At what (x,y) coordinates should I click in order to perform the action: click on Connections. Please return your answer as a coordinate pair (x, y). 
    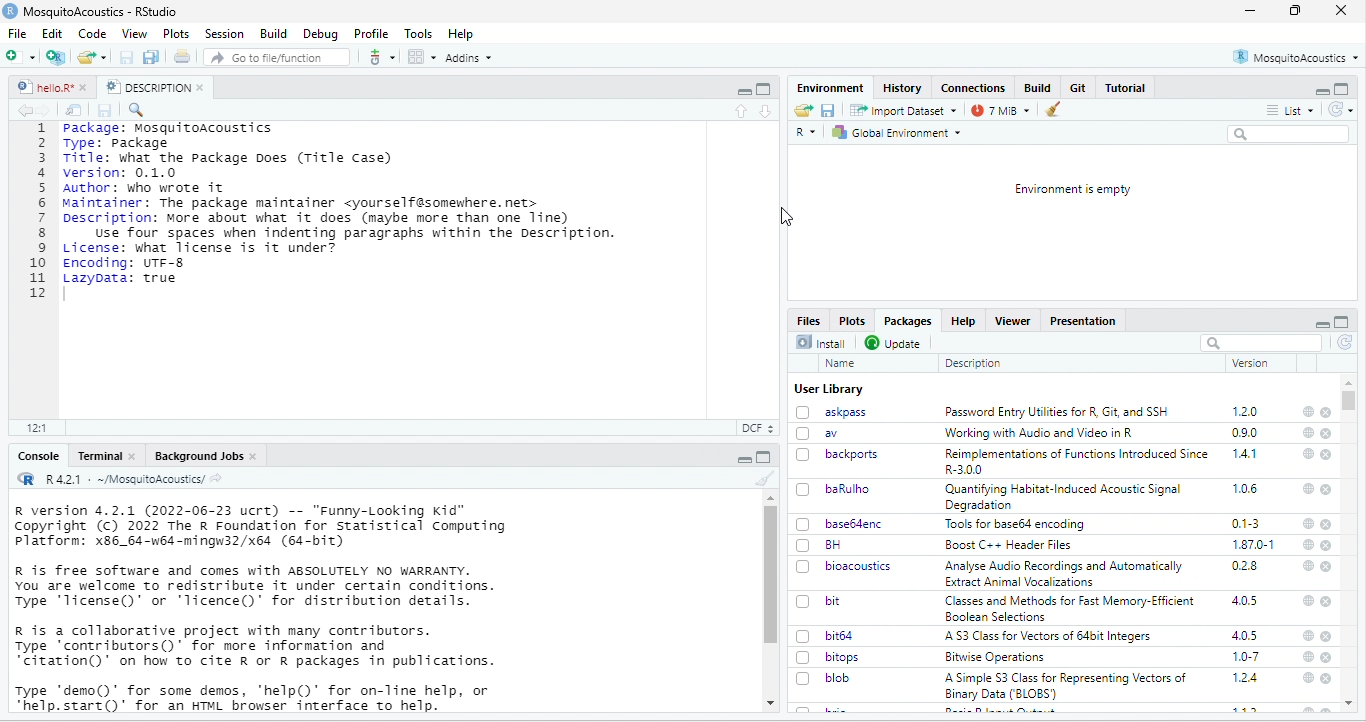
    Looking at the image, I should click on (973, 88).